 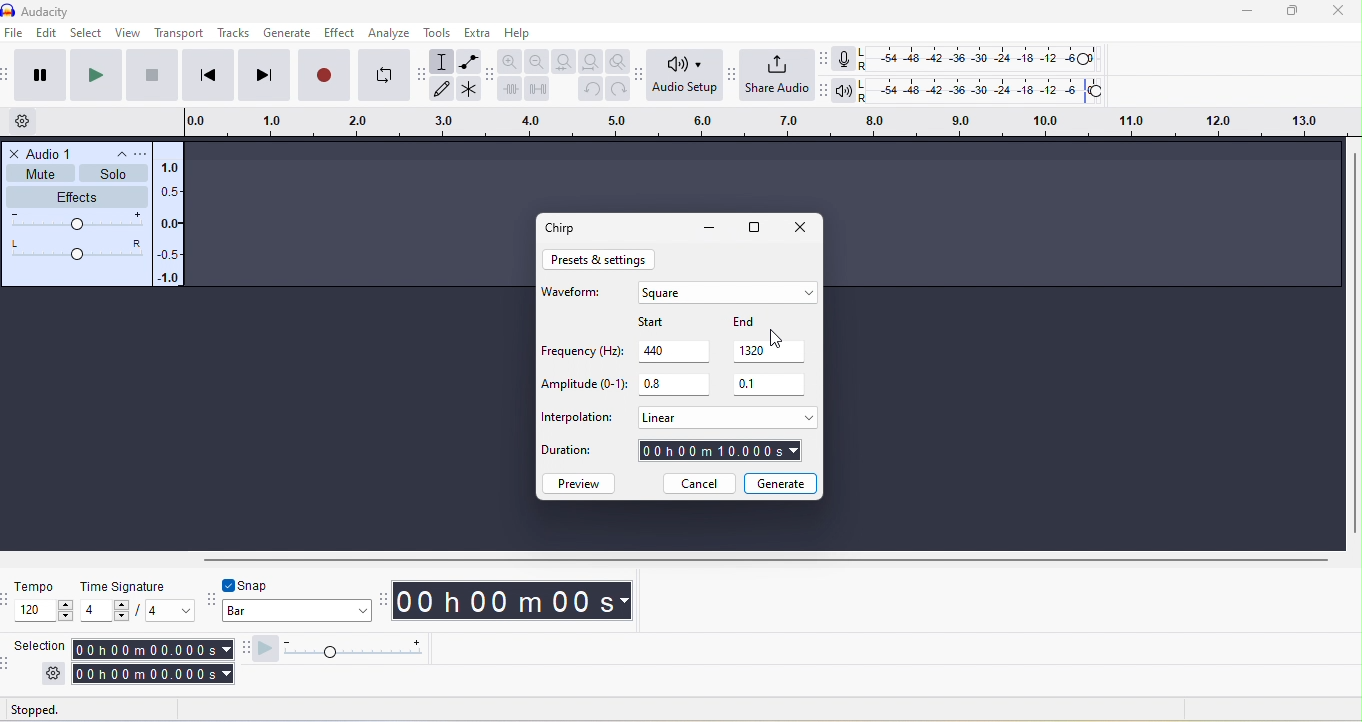 What do you see at coordinates (847, 91) in the screenshot?
I see `playback meter` at bounding box center [847, 91].